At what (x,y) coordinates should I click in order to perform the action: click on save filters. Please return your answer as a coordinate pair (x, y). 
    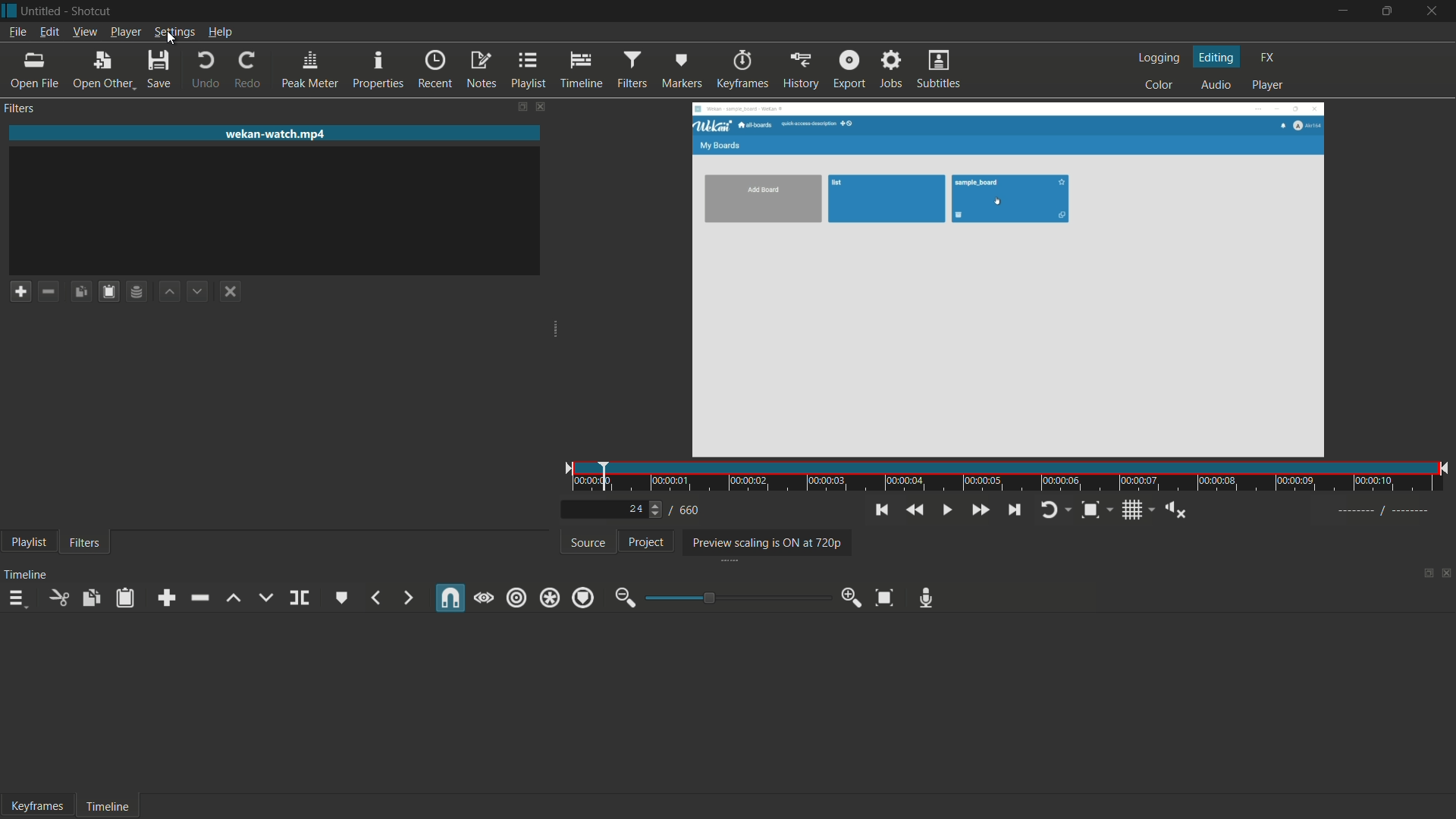
    Looking at the image, I should click on (105, 293).